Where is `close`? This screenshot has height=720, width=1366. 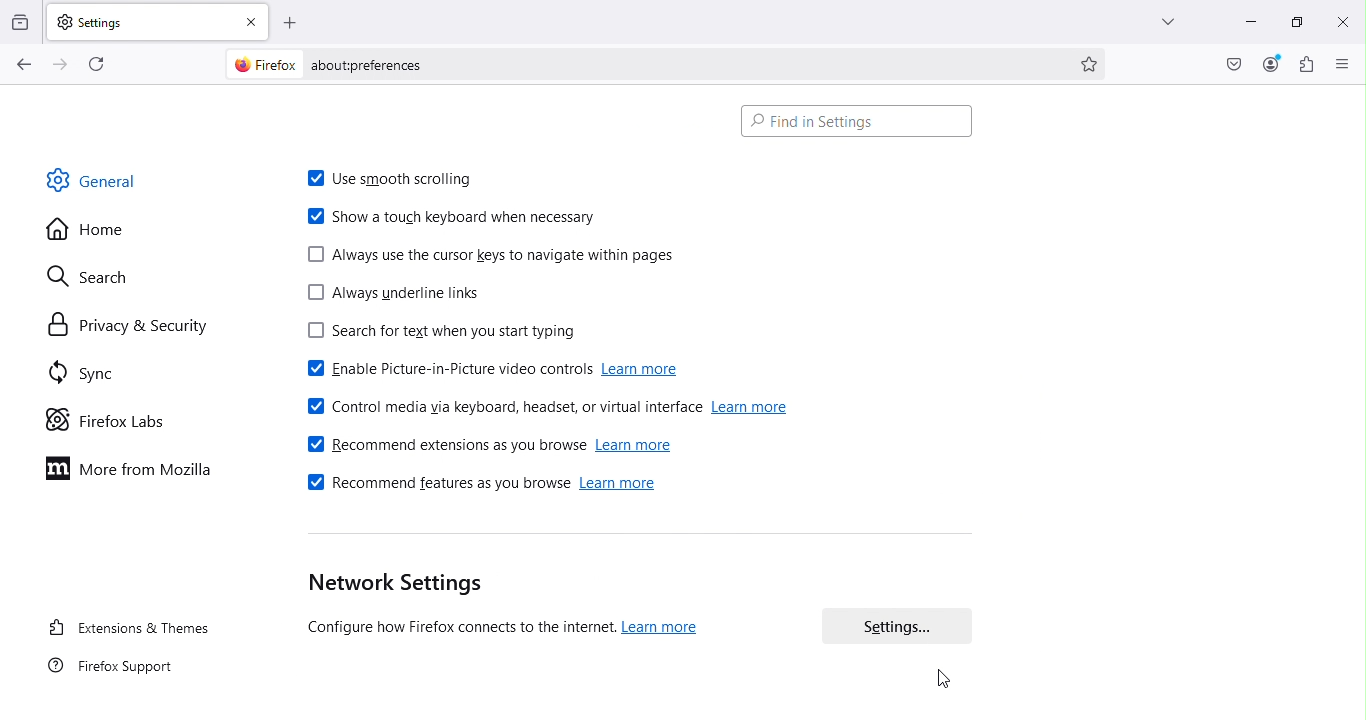 close is located at coordinates (252, 19).